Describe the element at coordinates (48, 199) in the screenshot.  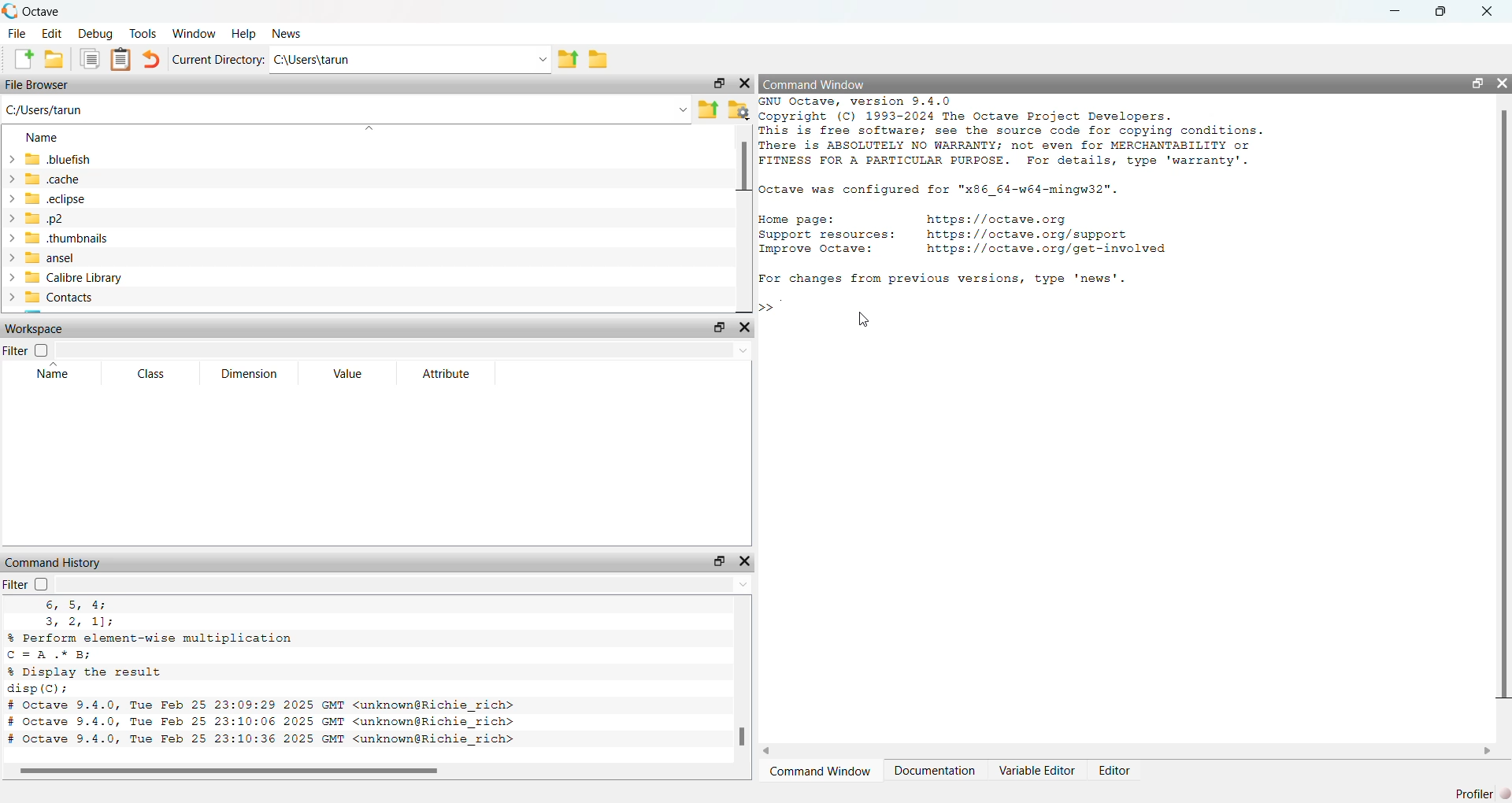
I see `eclipse` at that location.